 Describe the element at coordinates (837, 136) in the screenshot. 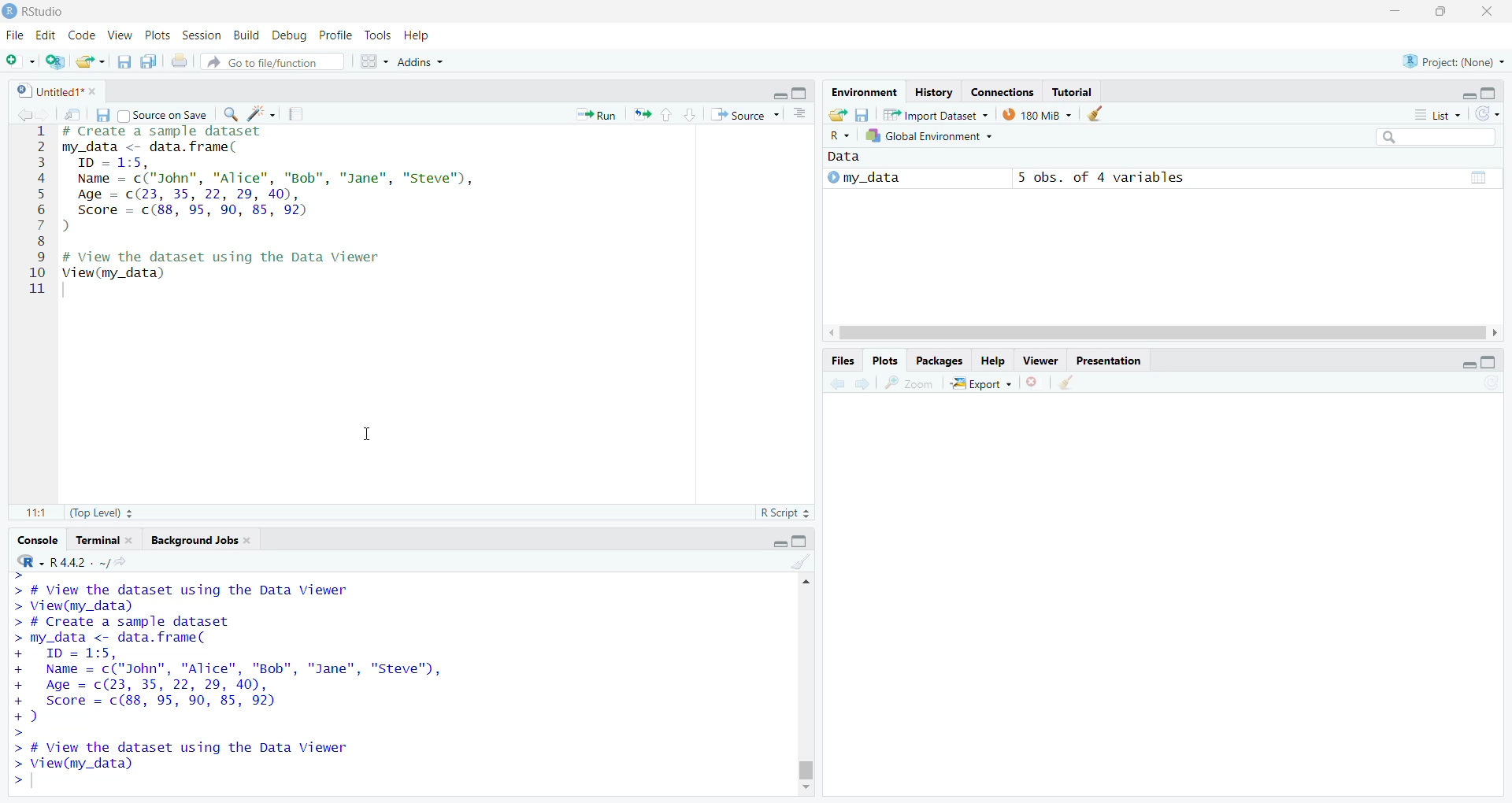

I see `R` at that location.